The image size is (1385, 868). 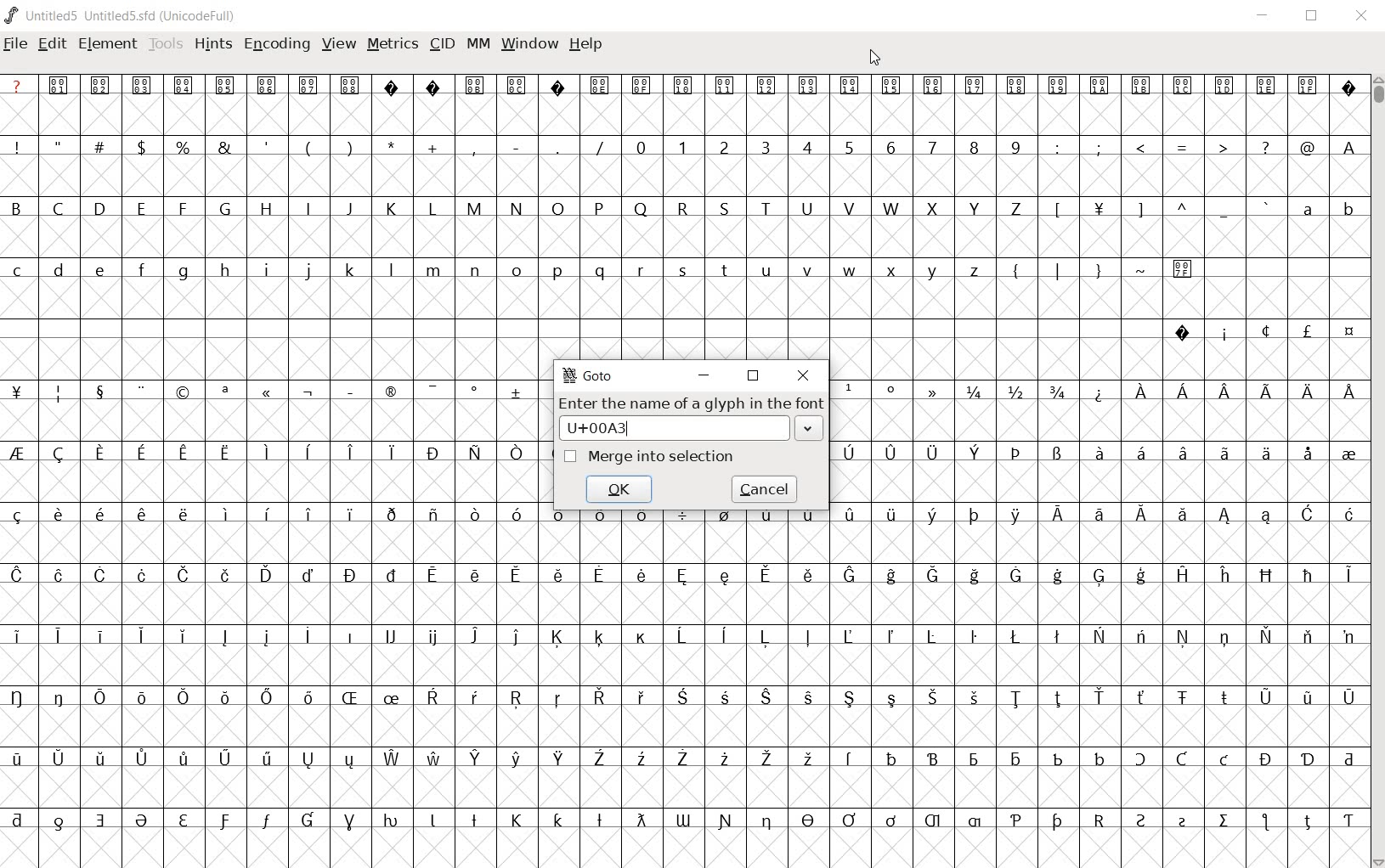 I want to click on Symbol, so click(x=642, y=574).